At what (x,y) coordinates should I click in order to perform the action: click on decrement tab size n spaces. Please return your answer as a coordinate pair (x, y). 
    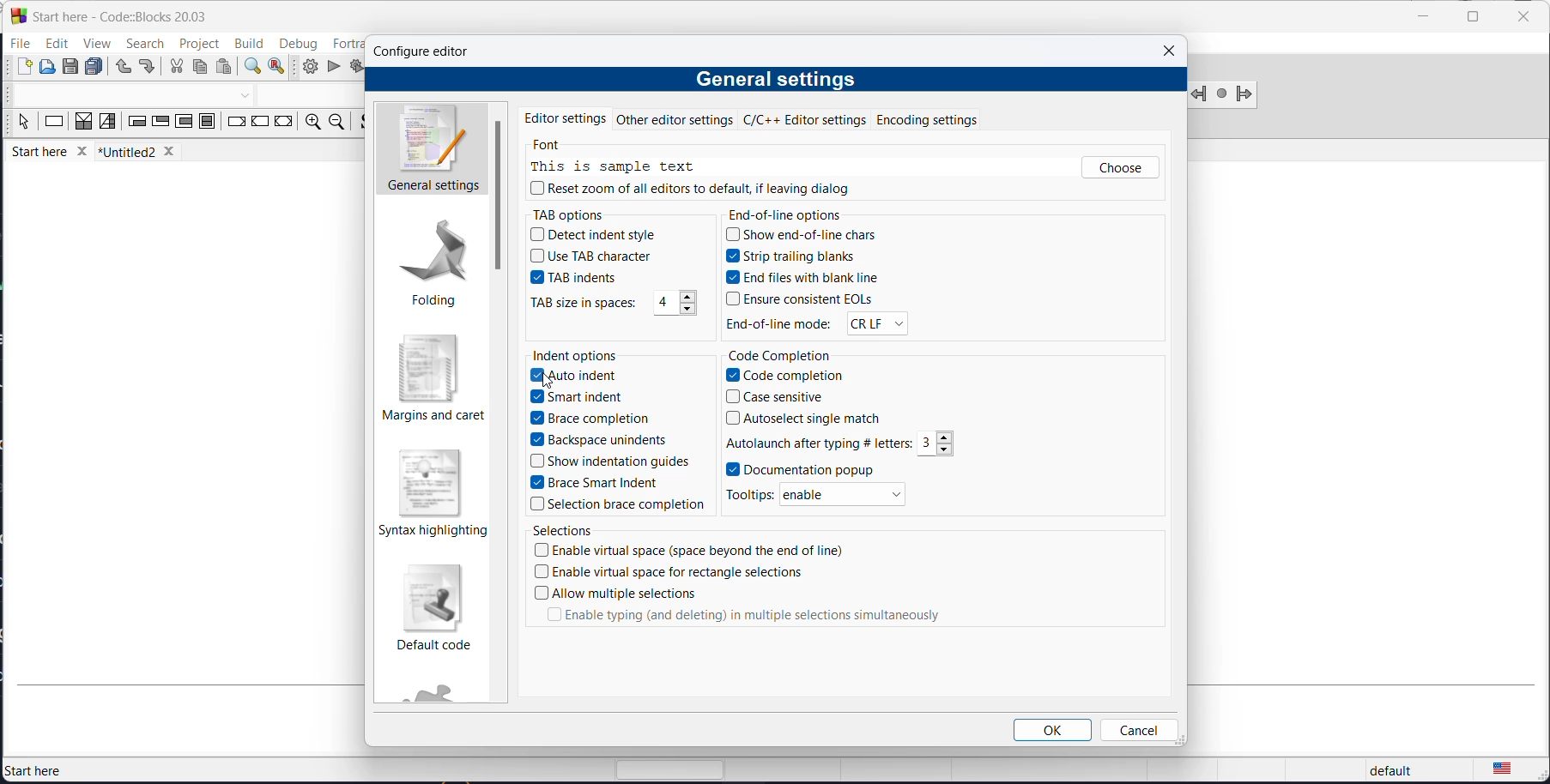
    Looking at the image, I should click on (690, 311).